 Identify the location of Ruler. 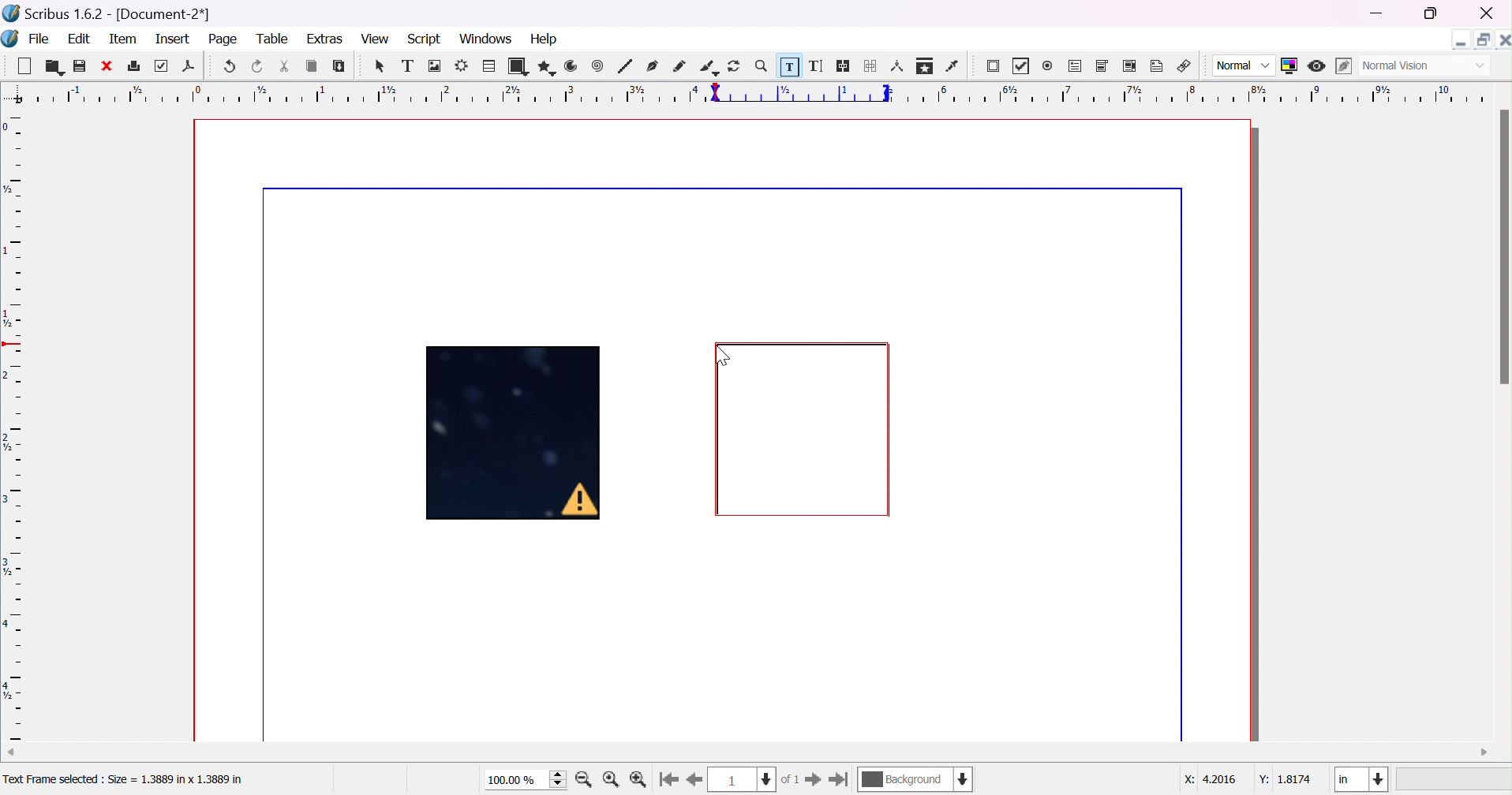
(759, 93).